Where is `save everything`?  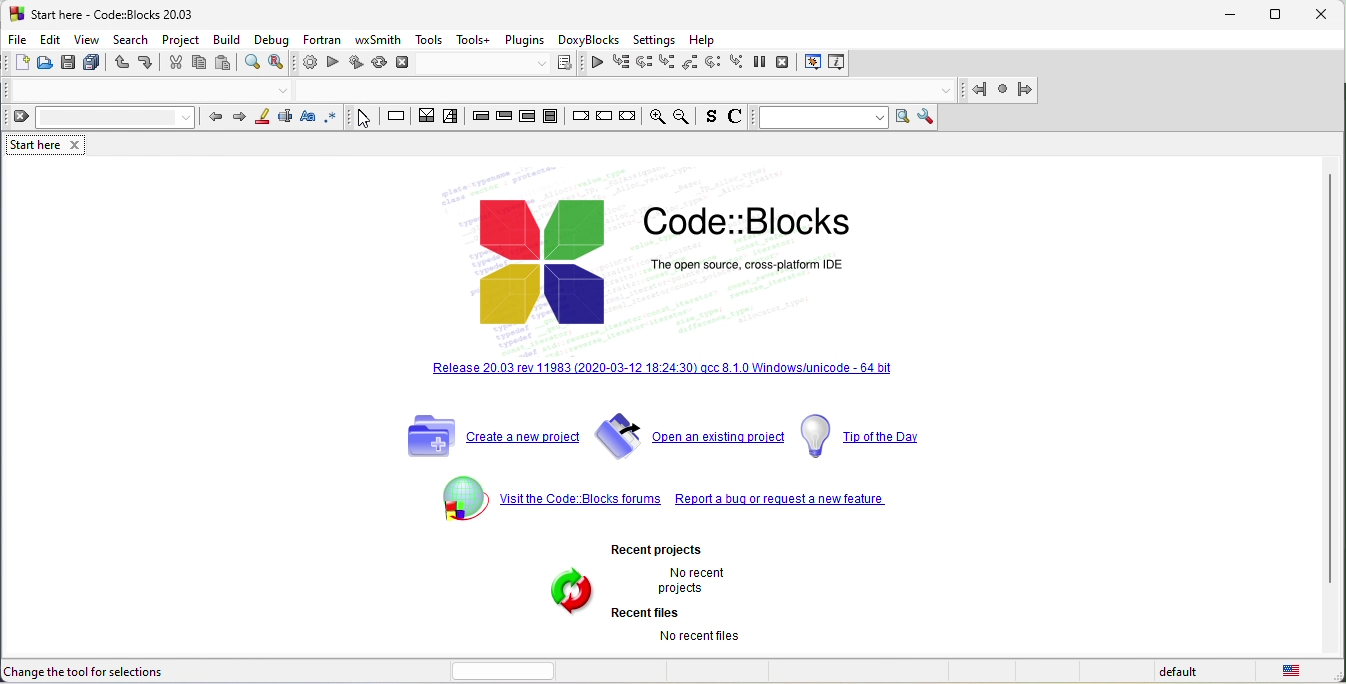 save everything is located at coordinates (91, 64).